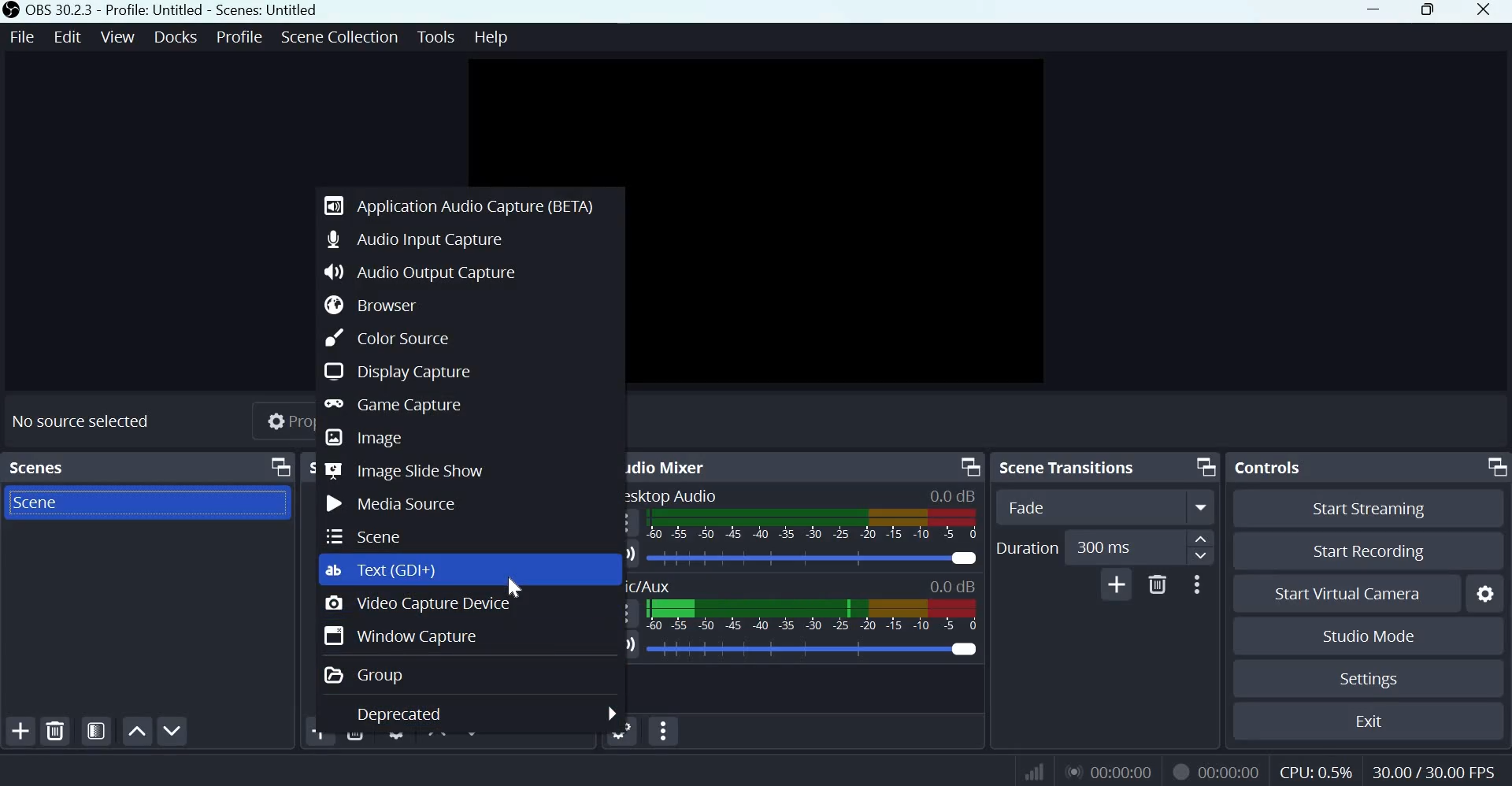  I want to click on 30.00/30.00 FPS, so click(1432, 771).